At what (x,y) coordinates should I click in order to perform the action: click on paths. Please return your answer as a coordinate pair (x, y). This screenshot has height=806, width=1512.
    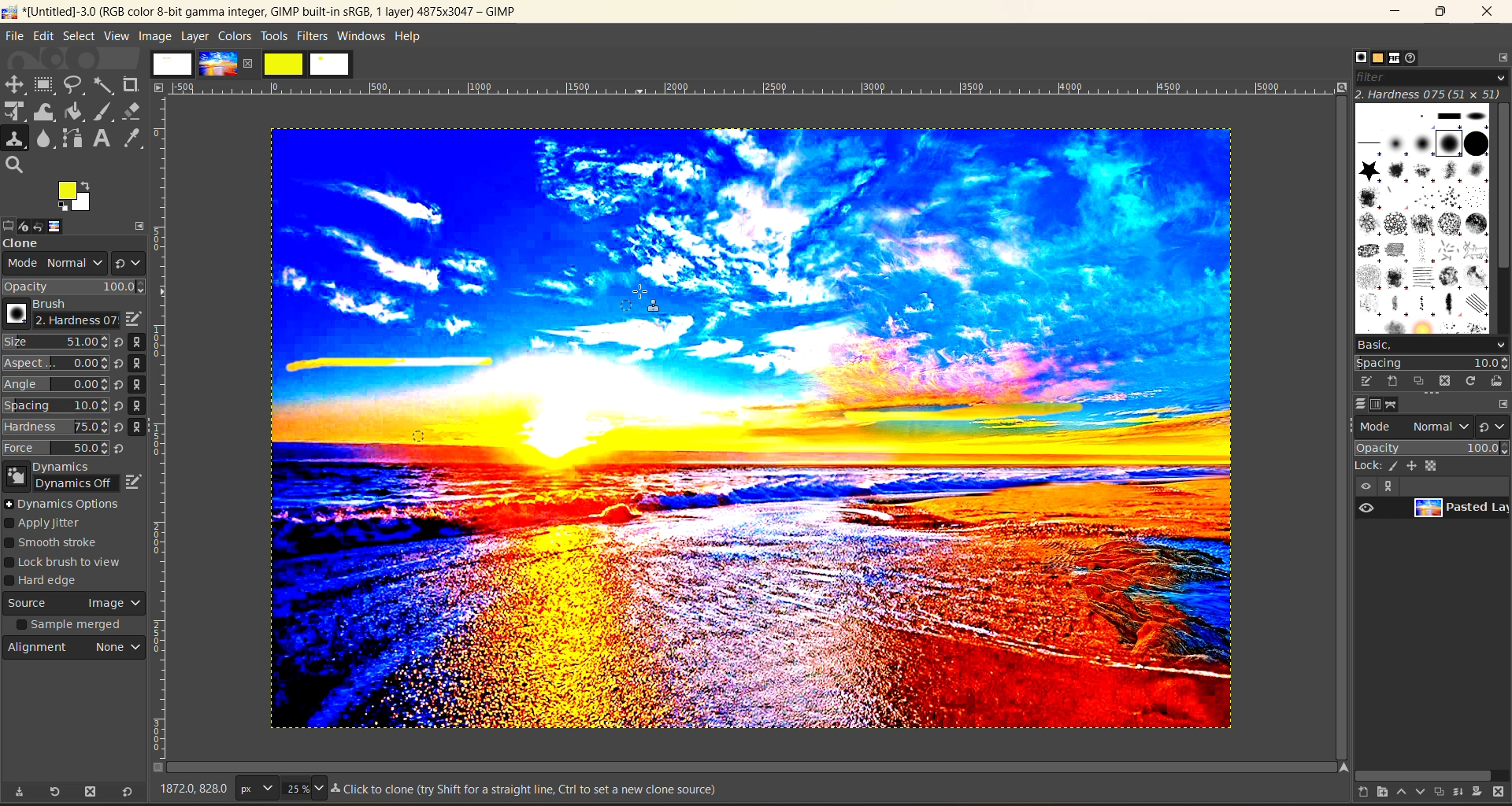
    Looking at the image, I should click on (1399, 405).